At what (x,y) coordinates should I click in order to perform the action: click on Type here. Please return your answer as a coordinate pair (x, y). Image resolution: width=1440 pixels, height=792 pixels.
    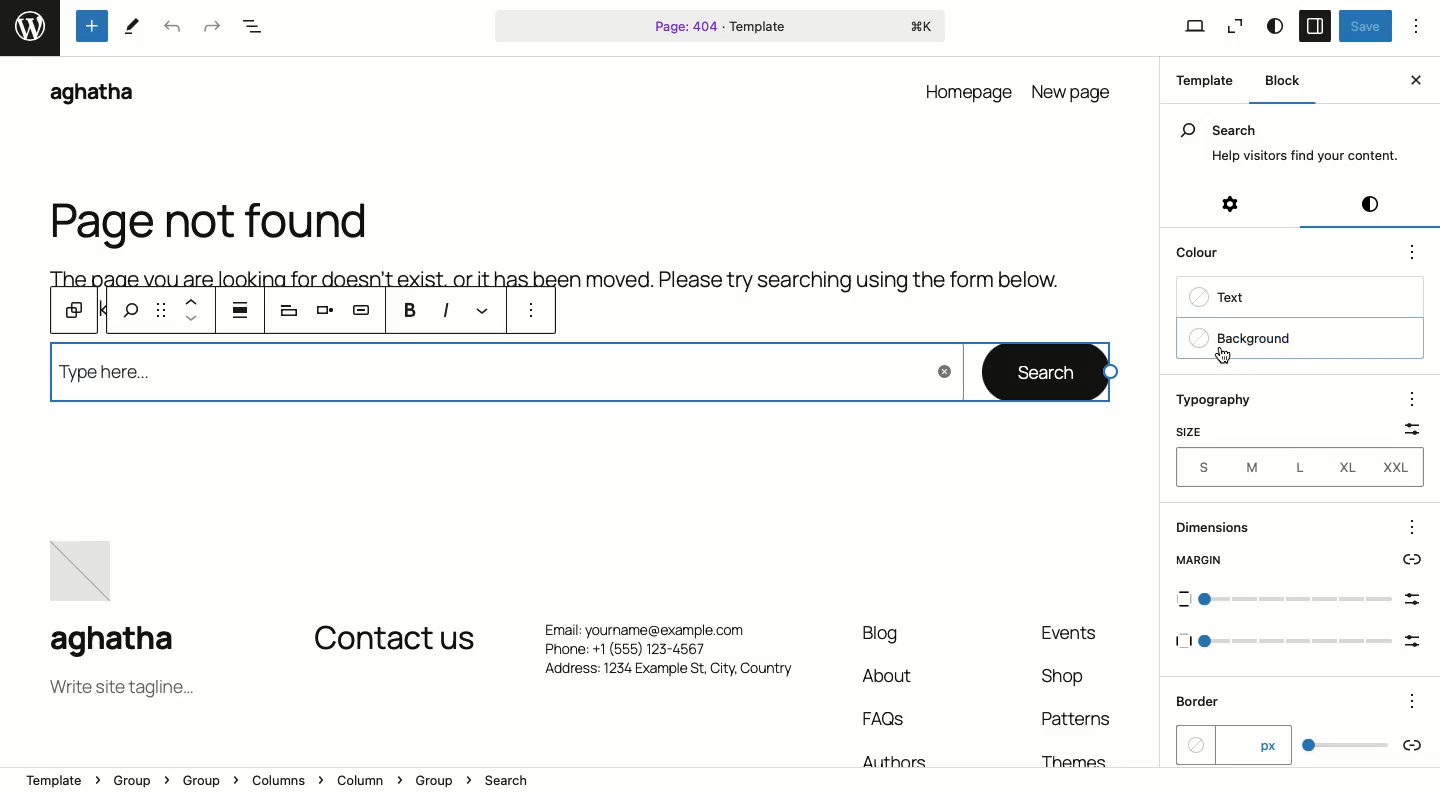
    Looking at the image, I should click on (506, 370).